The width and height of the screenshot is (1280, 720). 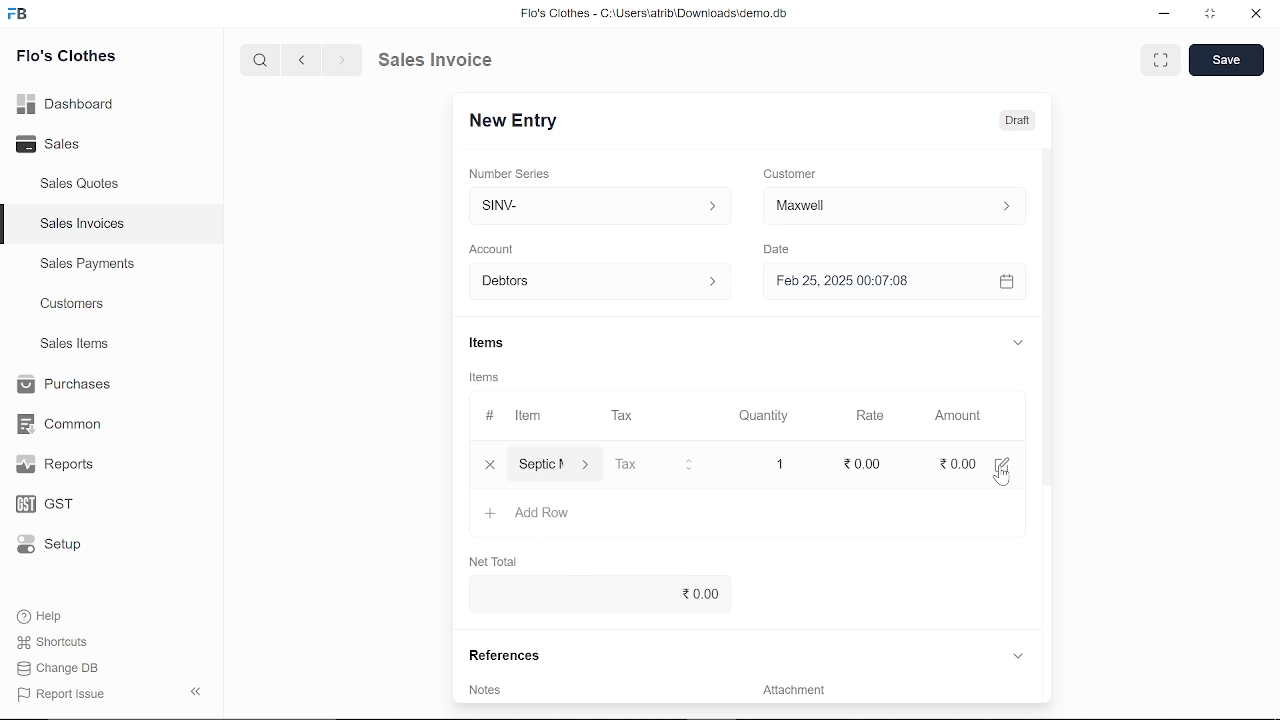 What do you see at coordinates (198, 693) in the screenshot?
I see `collapse` at bounding box center [198, 693].